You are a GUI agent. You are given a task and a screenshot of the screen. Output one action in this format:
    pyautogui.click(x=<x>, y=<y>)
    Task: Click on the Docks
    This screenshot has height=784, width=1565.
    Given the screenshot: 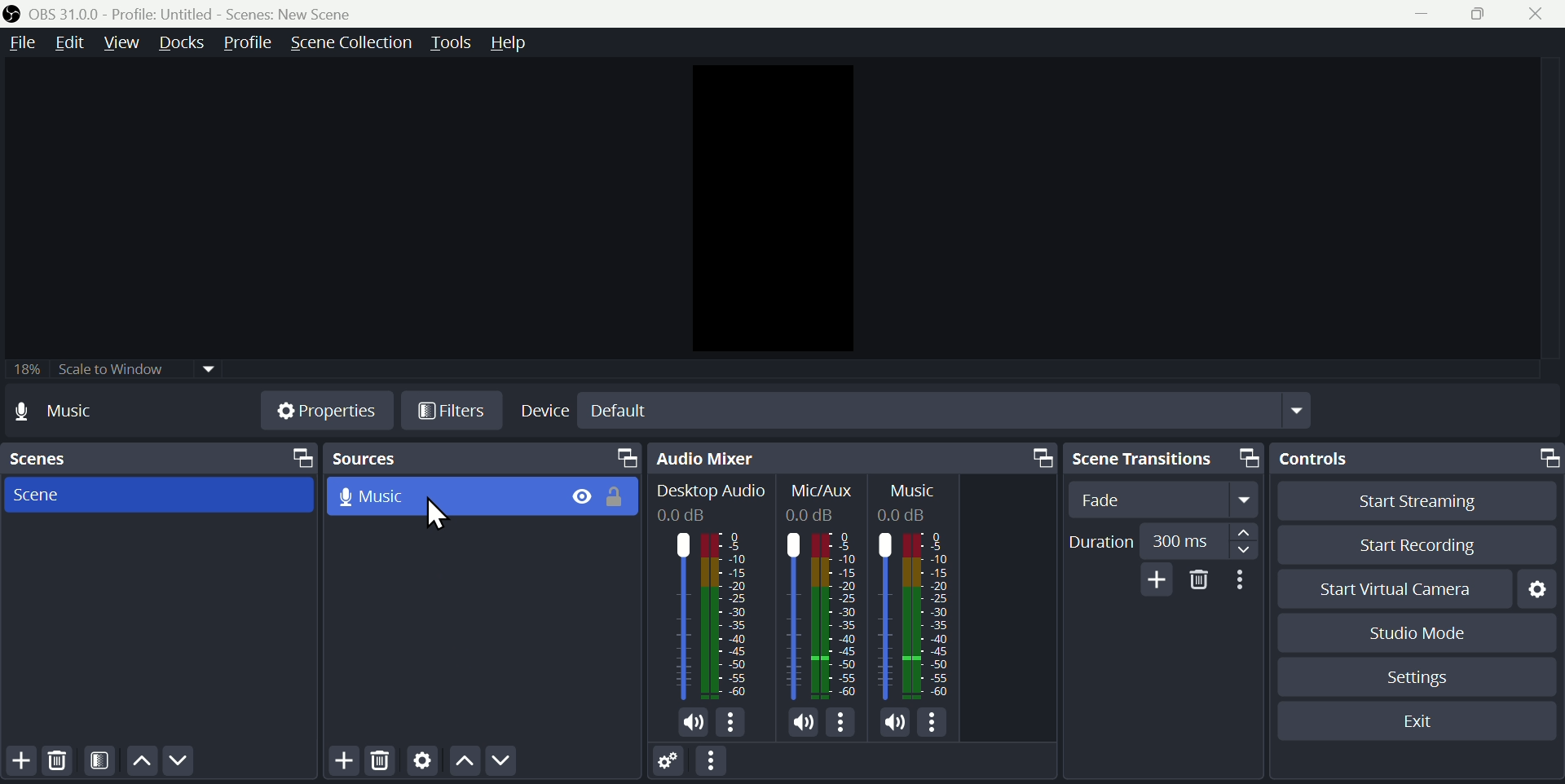 What is the action you would take?
    pyautogui.click(x=180, y=42)
    